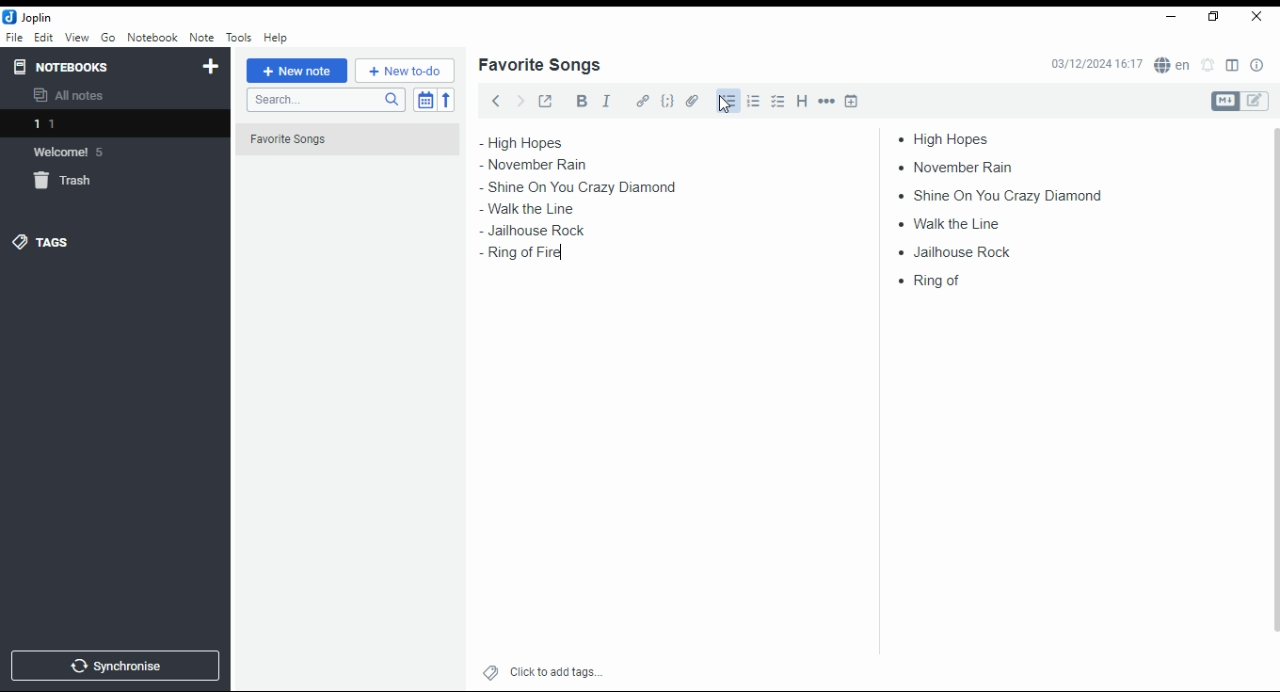 The height and width of the screenshot is (692, 1280). What do you see at coordinates (667, 101) in the screenshot?
I see `code` at bounding box center [667, 101].